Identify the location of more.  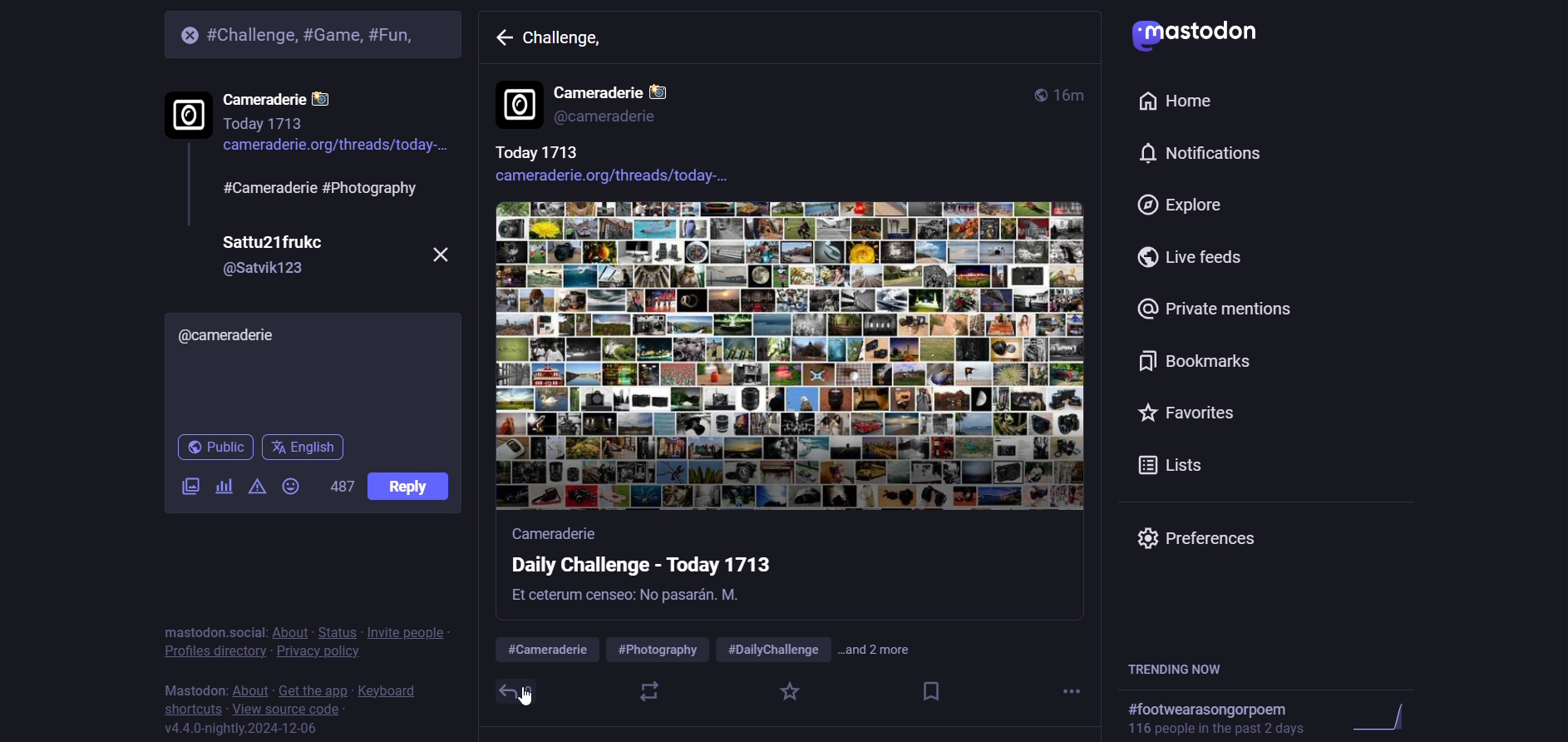
(1074, 693).